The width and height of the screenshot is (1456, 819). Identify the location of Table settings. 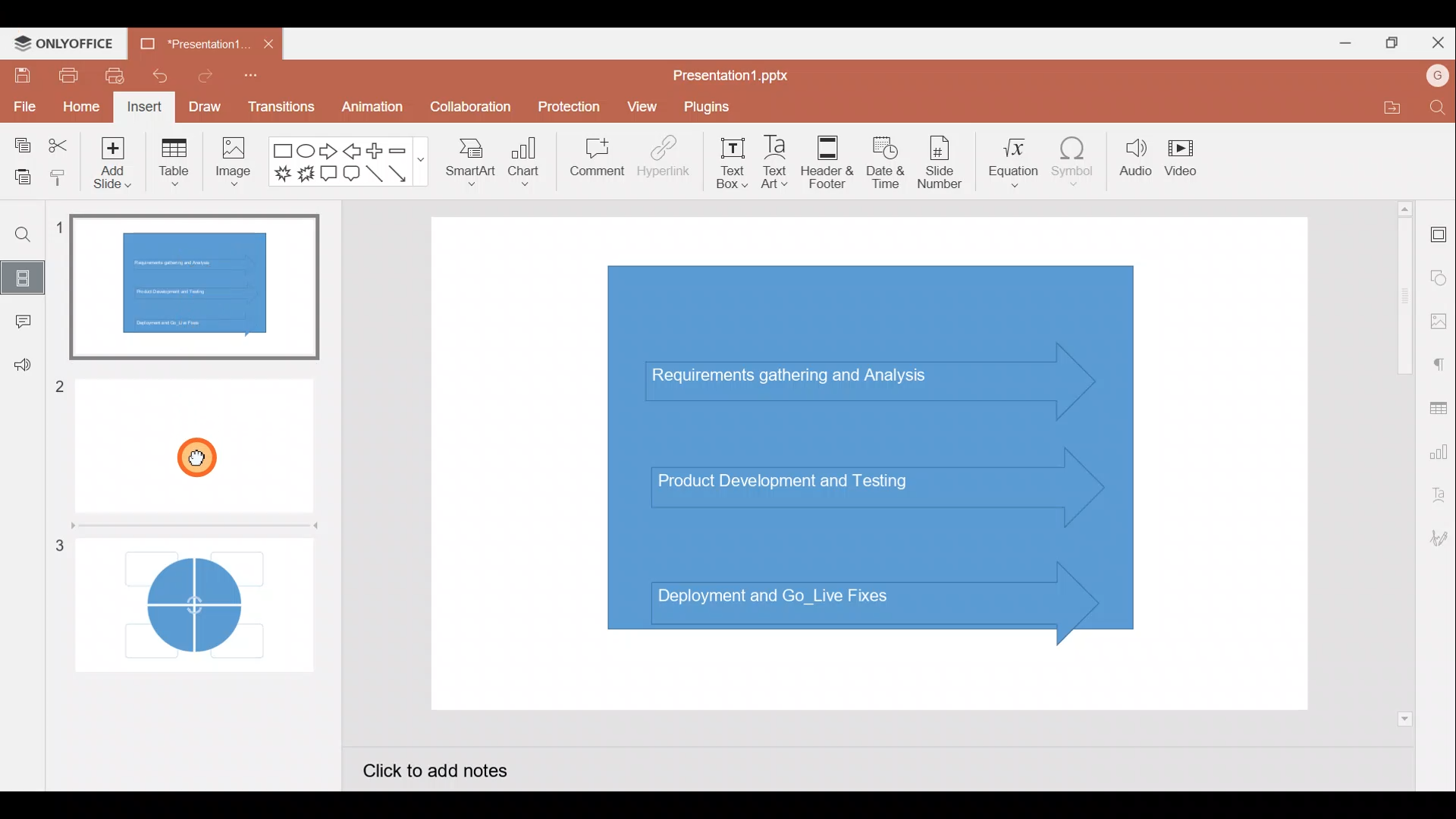
(1439, 408).